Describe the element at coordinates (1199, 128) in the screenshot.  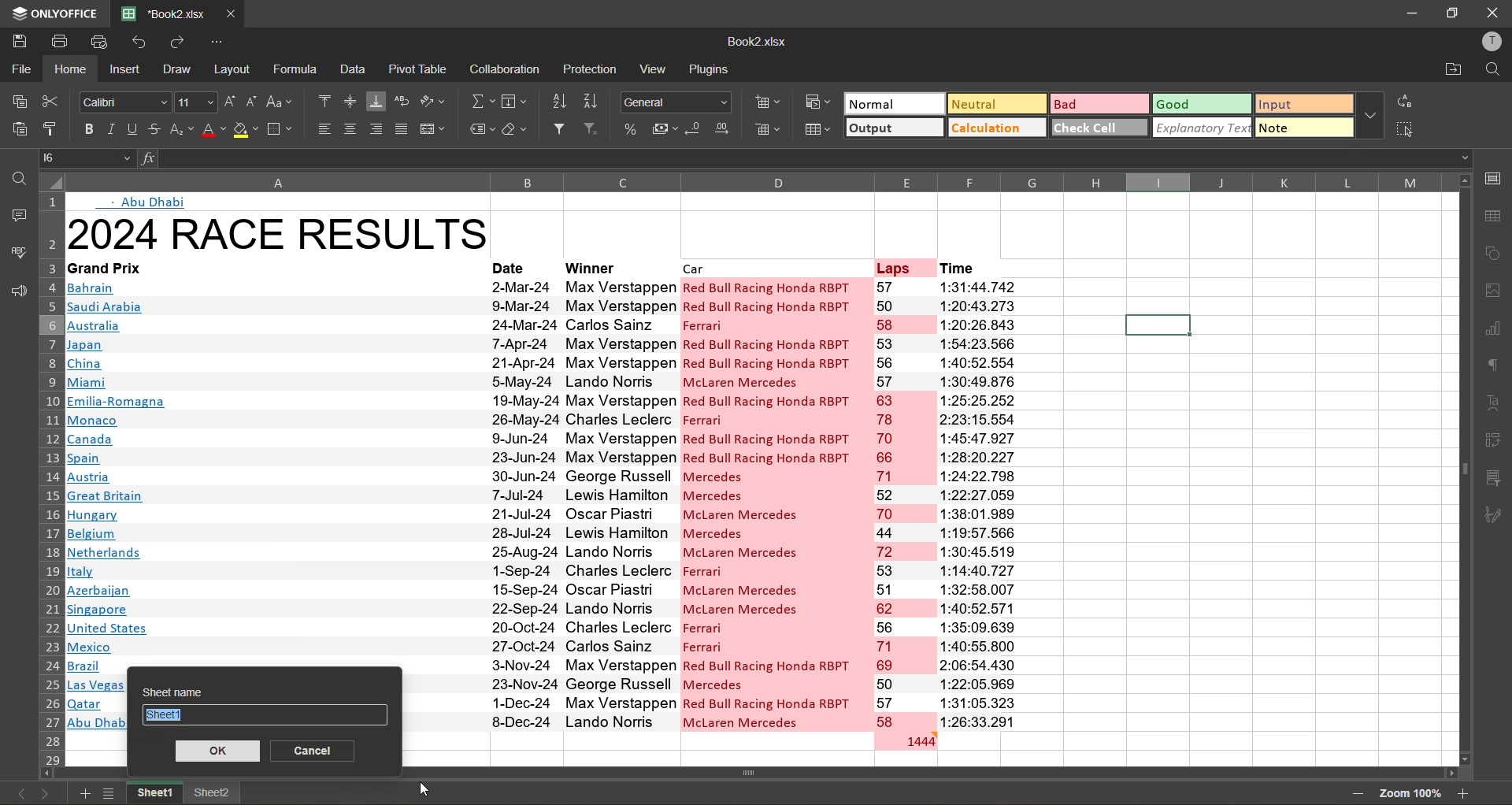
I see `explanatory text` at that location.